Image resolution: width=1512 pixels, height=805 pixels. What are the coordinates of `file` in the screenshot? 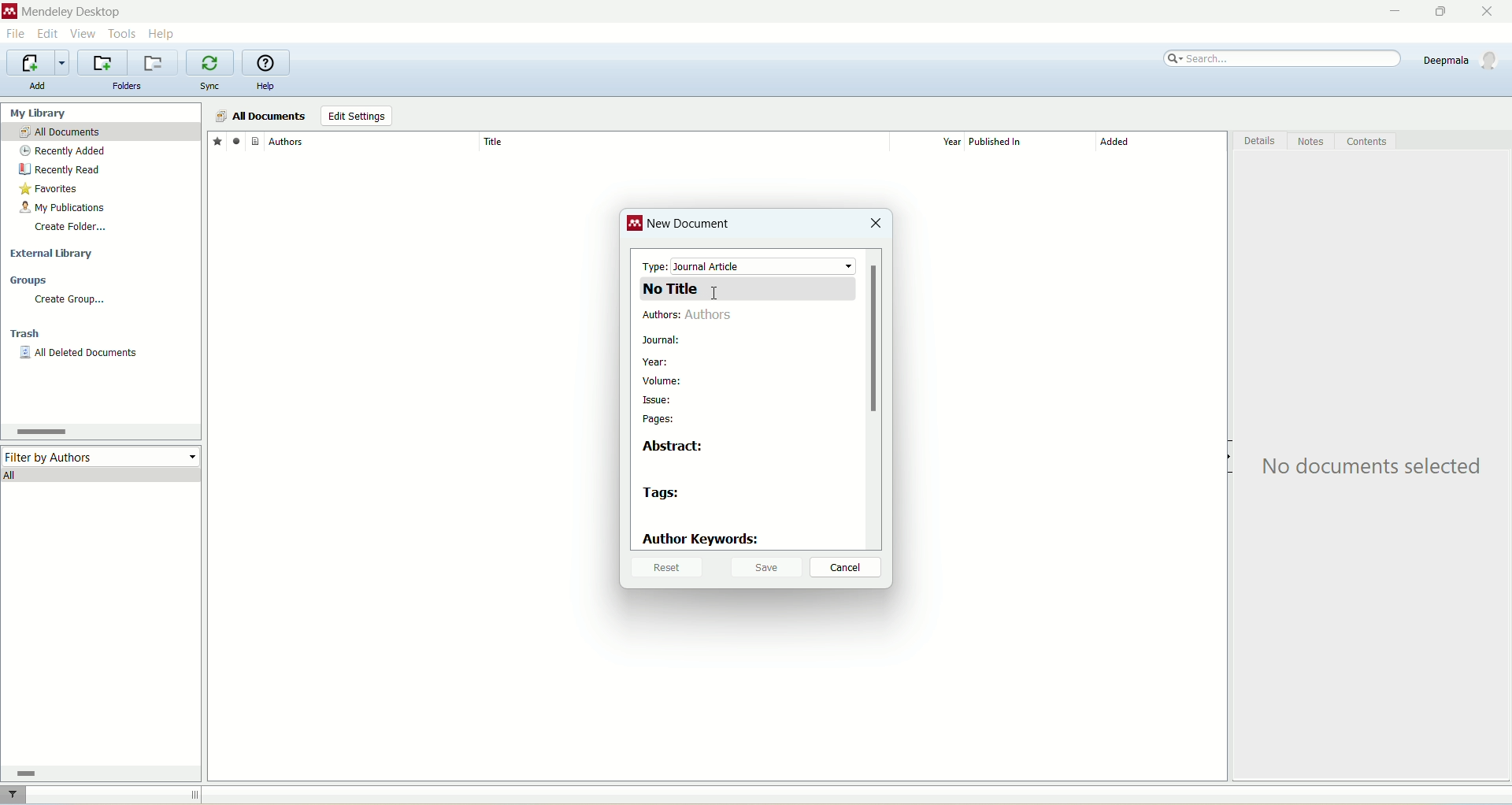 It's located at (15, 35).